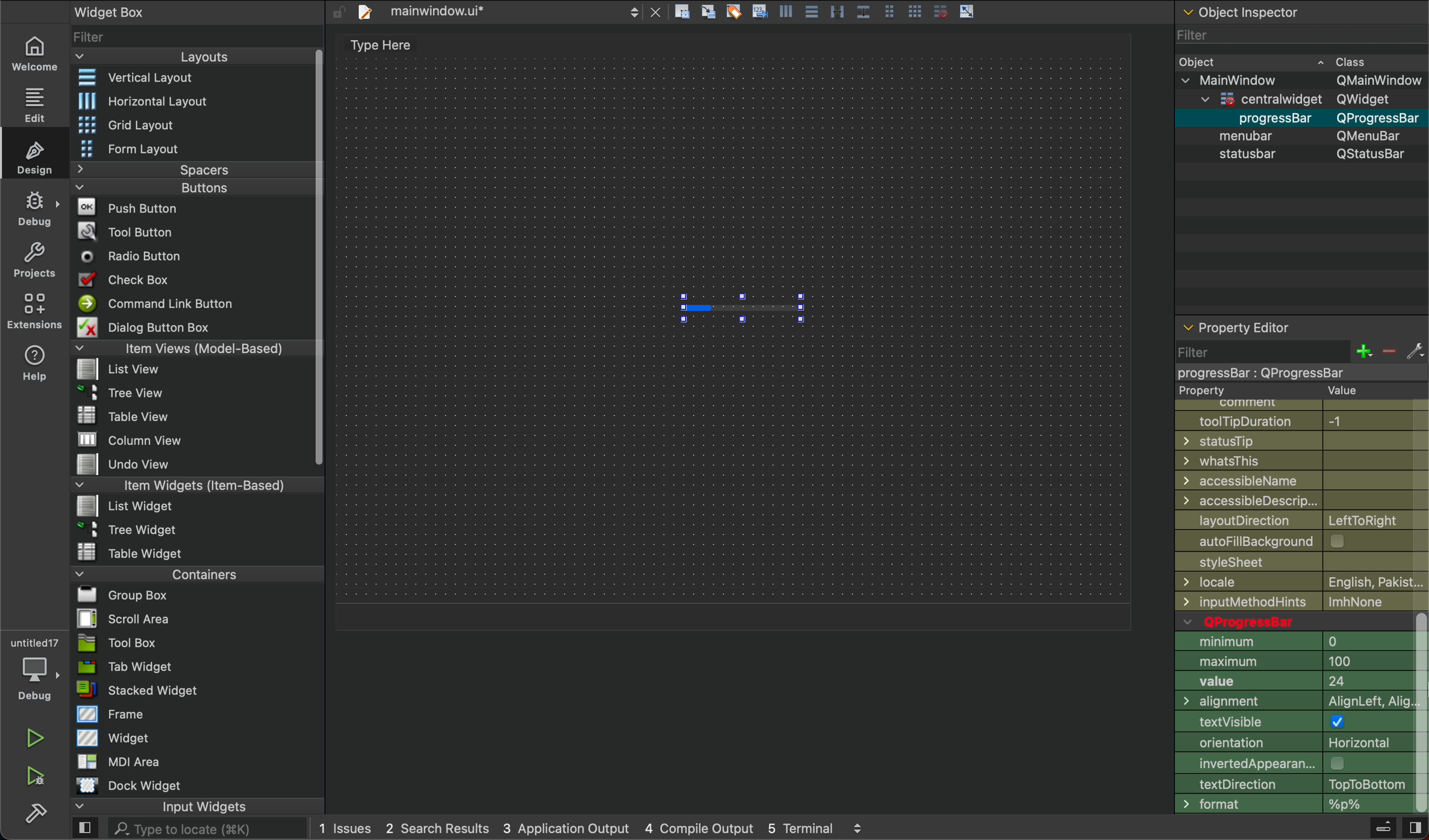 This screenshot has width=1429, height=840. What do you see at coordinates (188, 79) in the screenshot?
I see `vertical layout` at bounding box center [188, 79].